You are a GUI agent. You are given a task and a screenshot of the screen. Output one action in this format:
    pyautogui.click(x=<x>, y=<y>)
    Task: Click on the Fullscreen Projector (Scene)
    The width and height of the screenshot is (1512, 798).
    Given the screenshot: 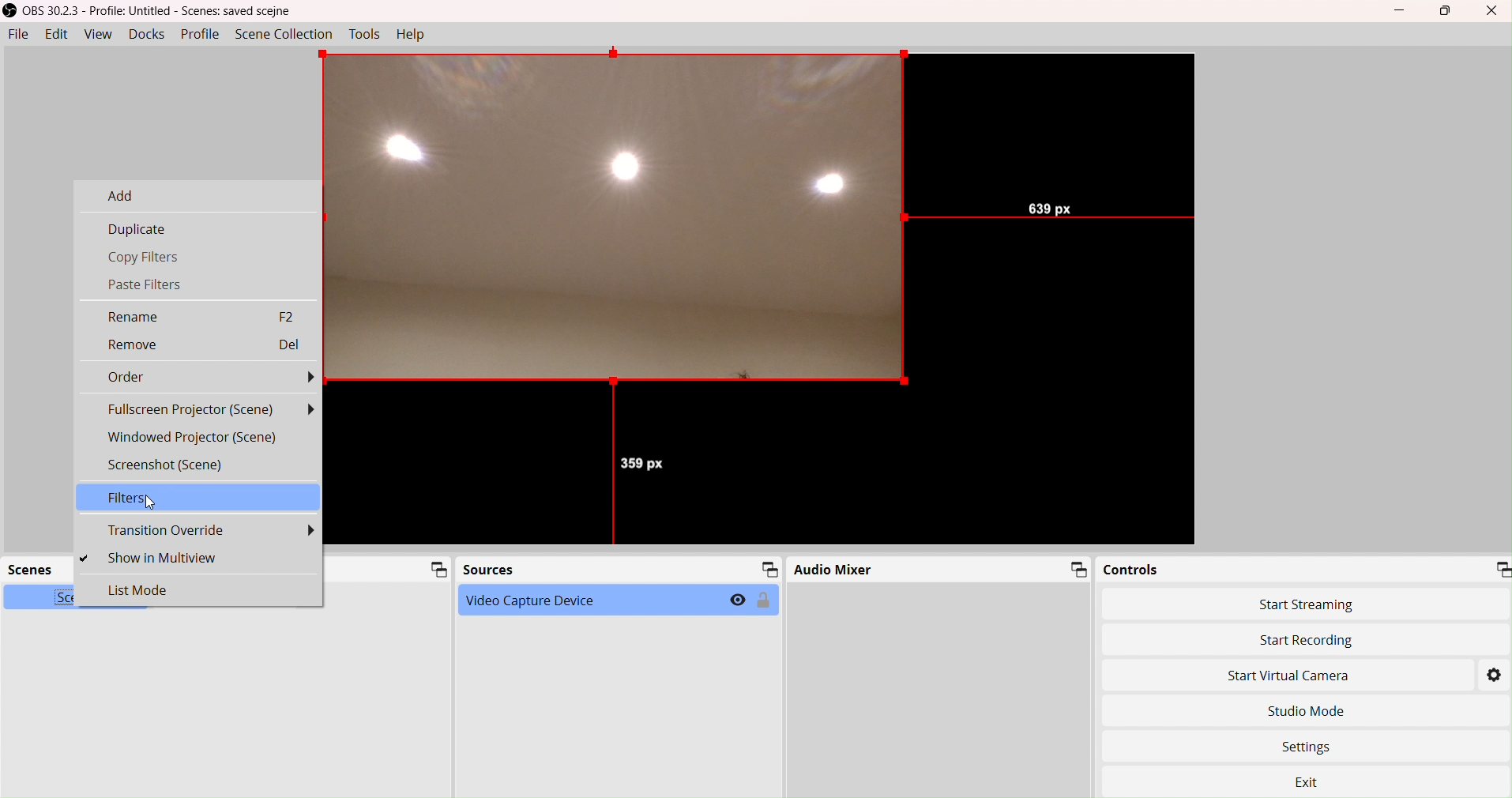 What is the action you would take?
    pyautogui.click(x=209, y=408)
    